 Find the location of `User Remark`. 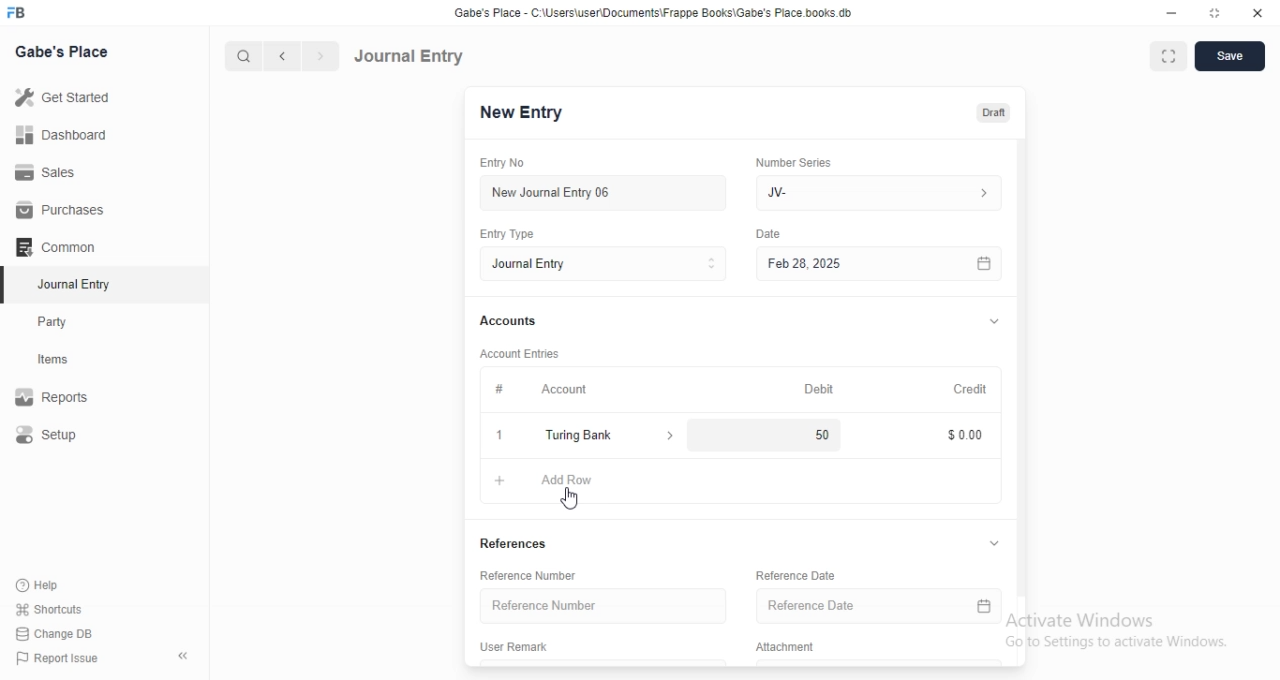

User Remark is located at coordinates (522, 648).